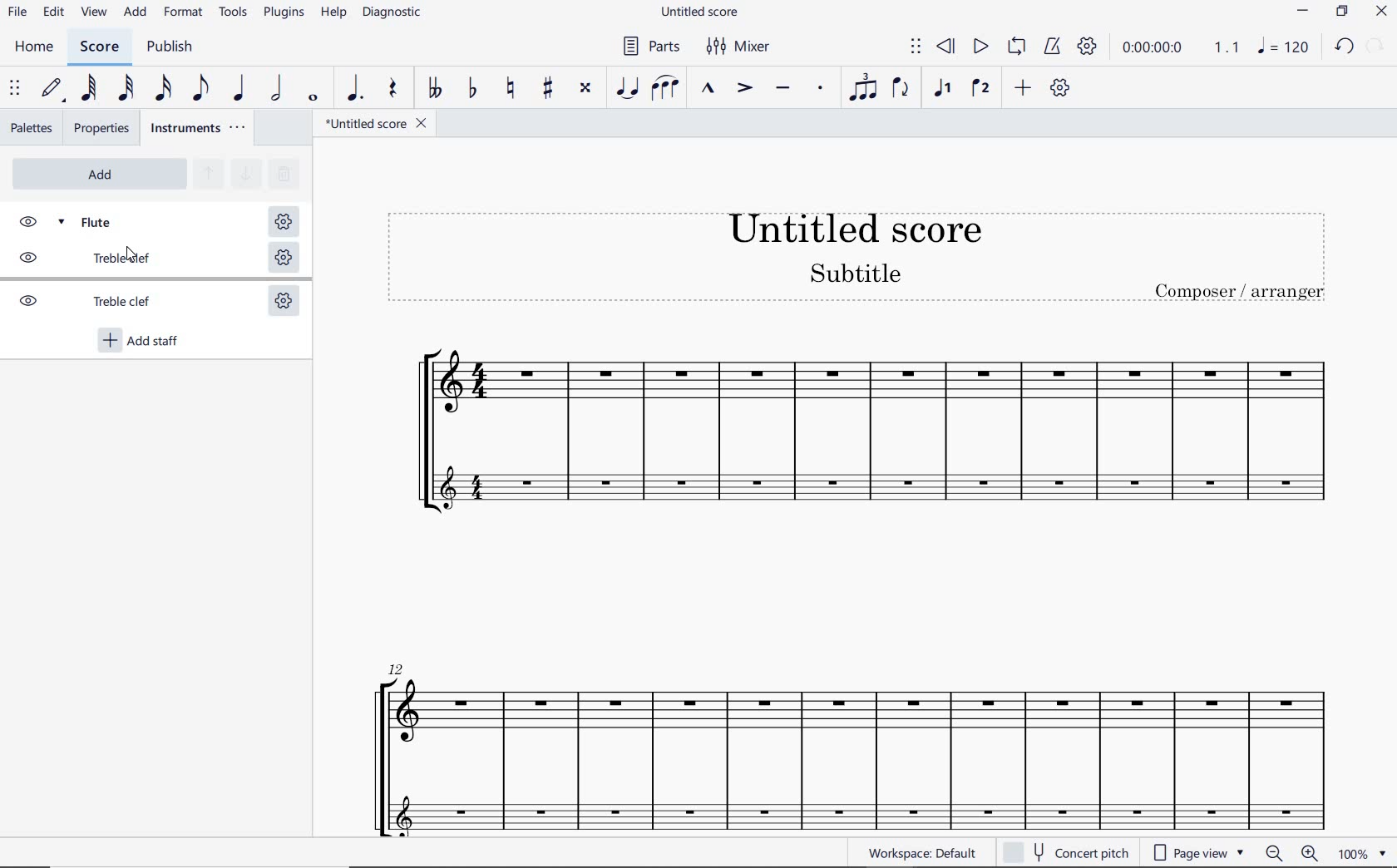 The width and height of the screenshot is (1397, 868). Describe the element at coordinates (201, 89) in the screenshot. I see `EIGHTH NOTE` at that location.